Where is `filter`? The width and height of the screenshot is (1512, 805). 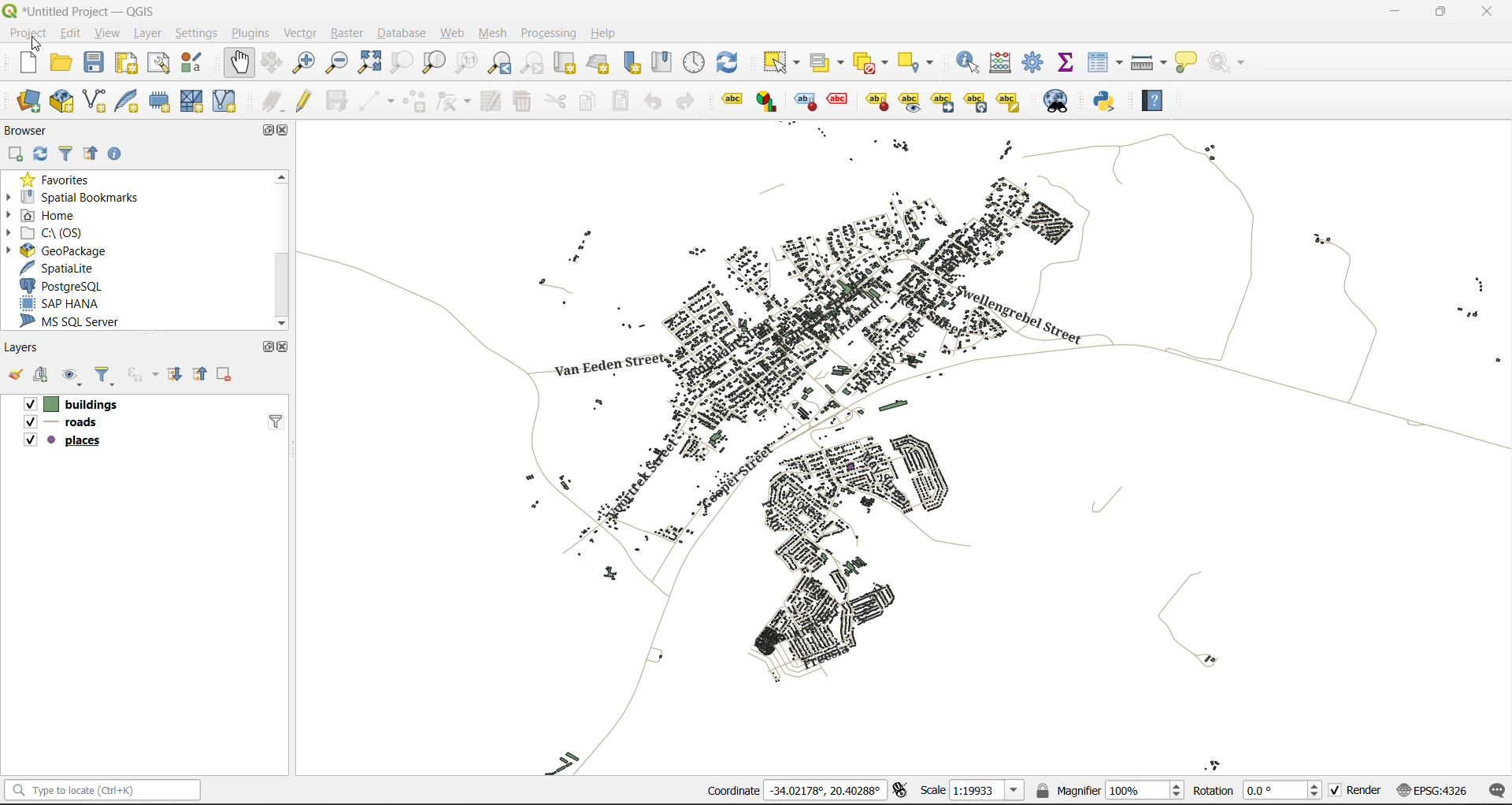
filter is located at coordinates (65, 156).